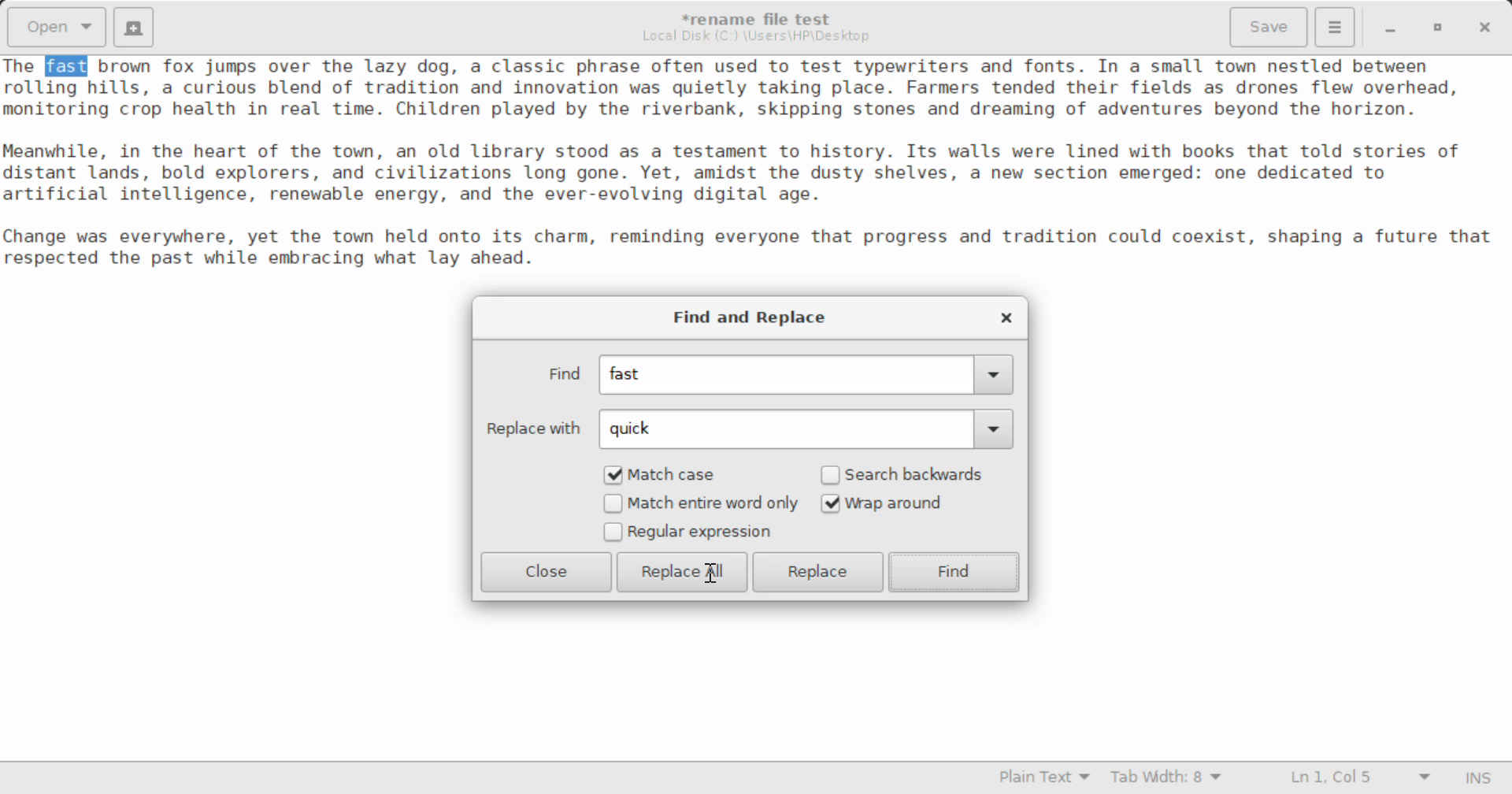  What do you see at coordinates (1440, 27) in the screenshot?
I see `Minimize` at bounding box center [1440, 27].